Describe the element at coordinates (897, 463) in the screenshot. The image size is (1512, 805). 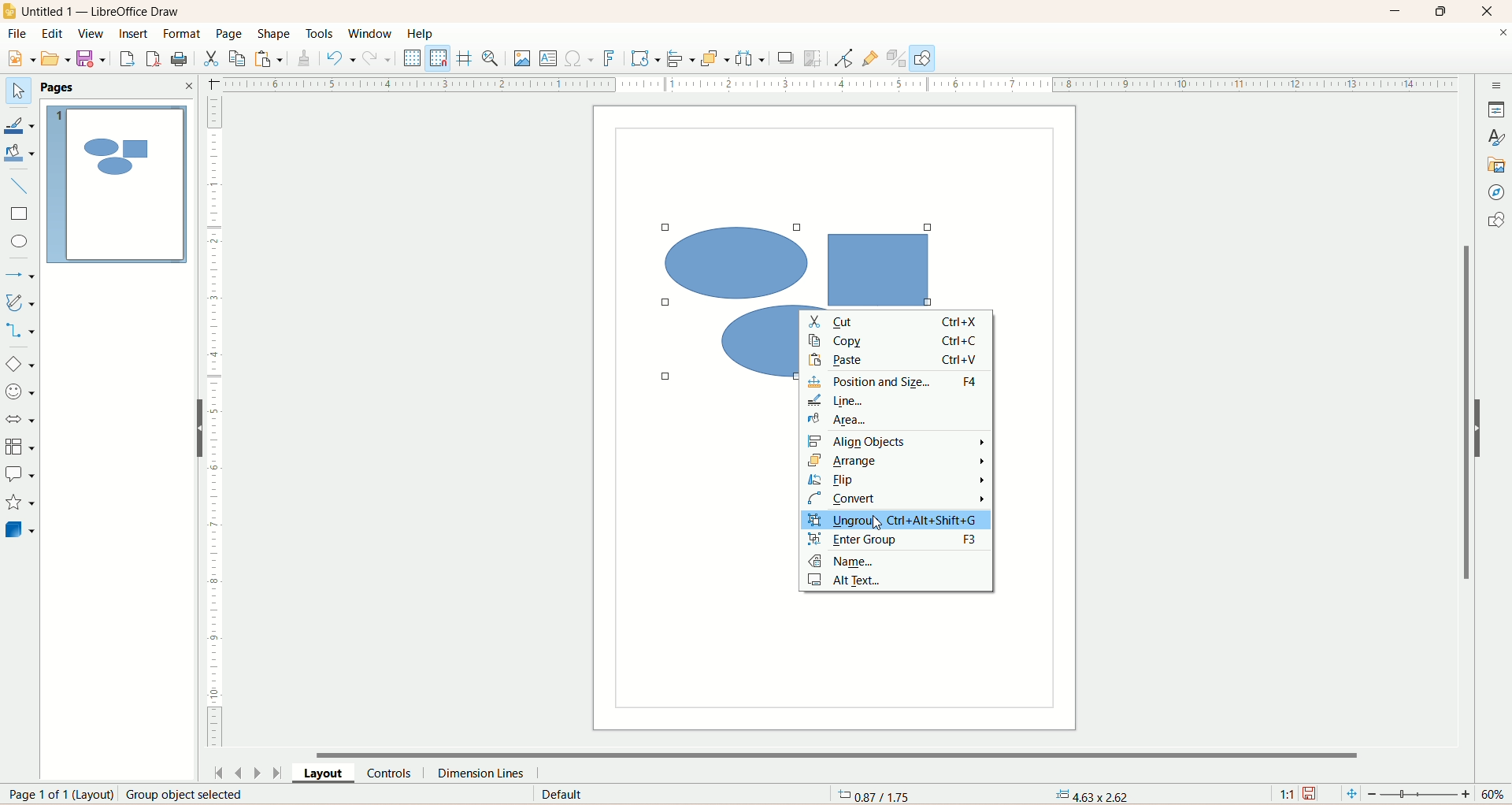
I see `arrange` at that location.